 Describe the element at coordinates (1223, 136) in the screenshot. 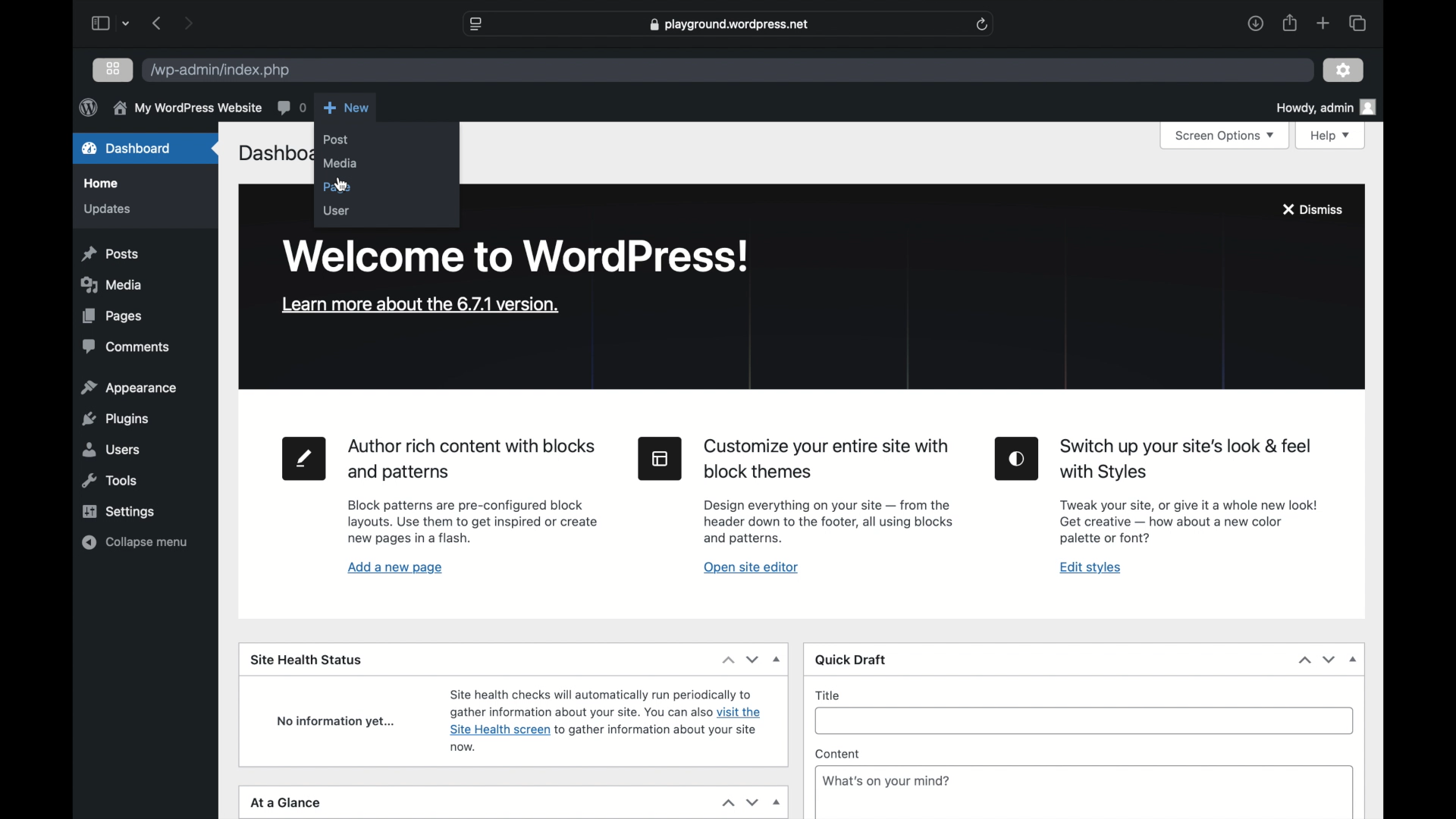

I see `screen options` at that location.